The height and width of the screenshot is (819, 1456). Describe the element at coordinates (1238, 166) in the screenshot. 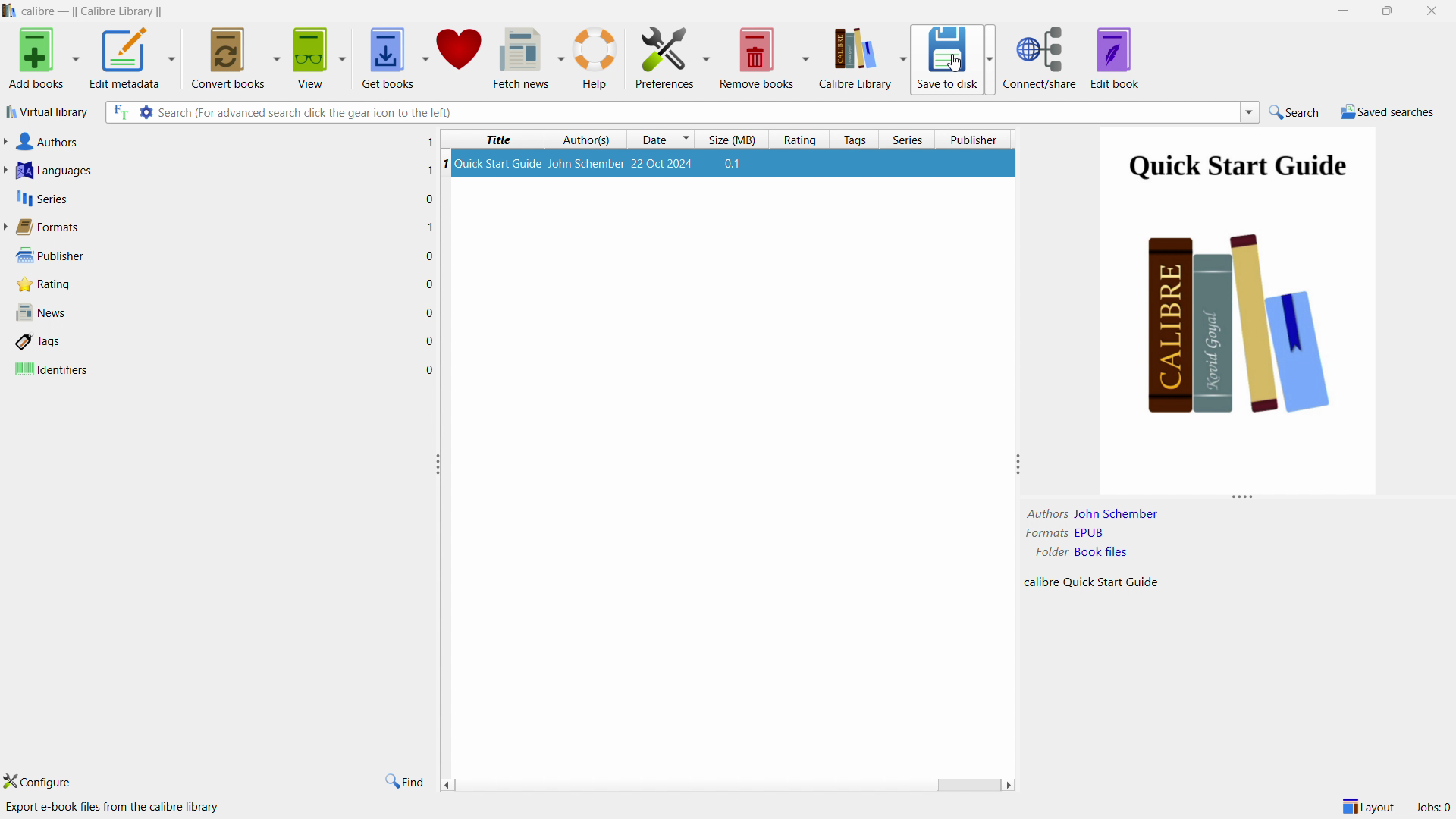

I see `Quick Start Guide` at that location.